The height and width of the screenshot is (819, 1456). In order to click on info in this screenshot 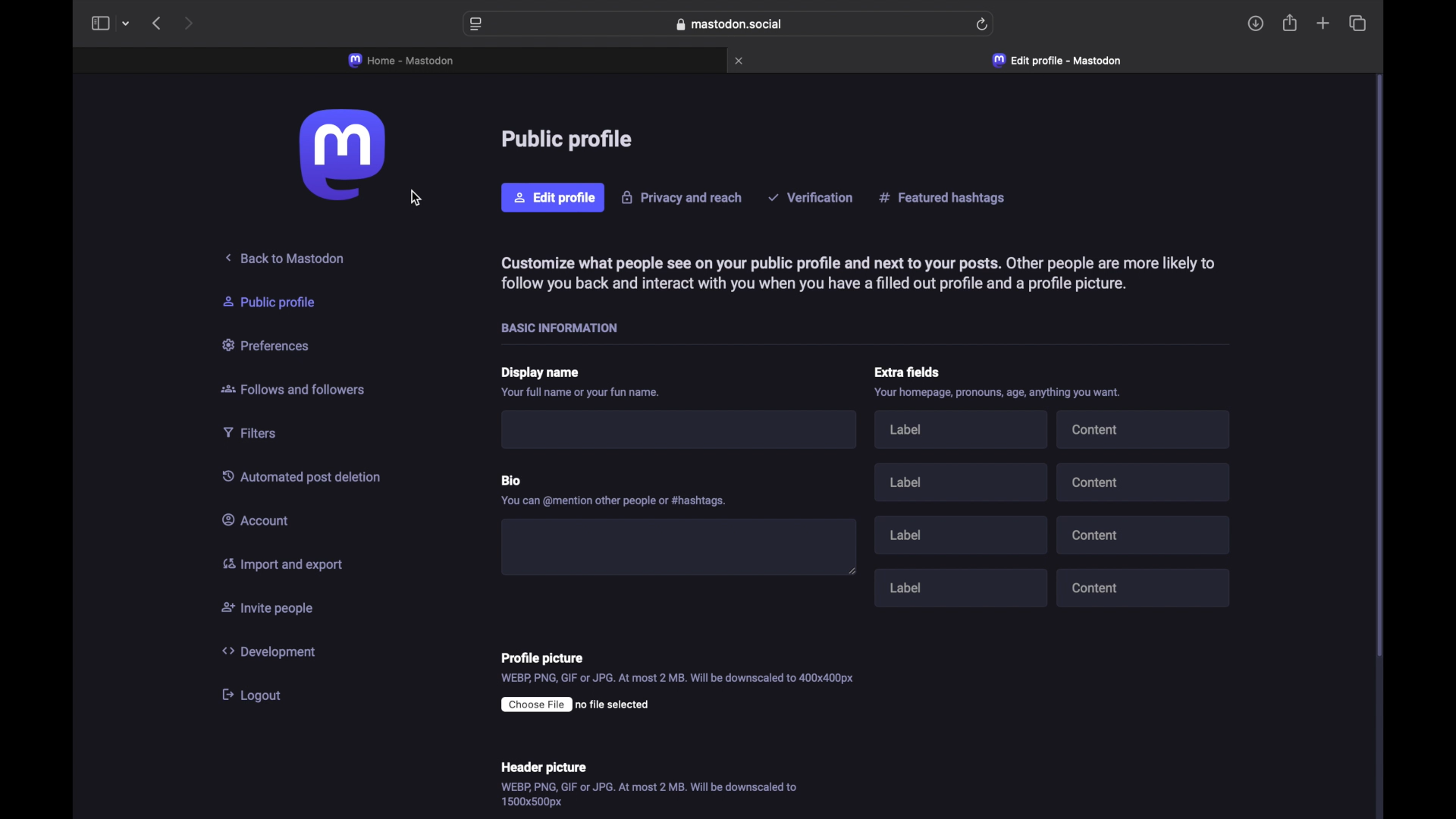, I will do `click(860, 275)`.